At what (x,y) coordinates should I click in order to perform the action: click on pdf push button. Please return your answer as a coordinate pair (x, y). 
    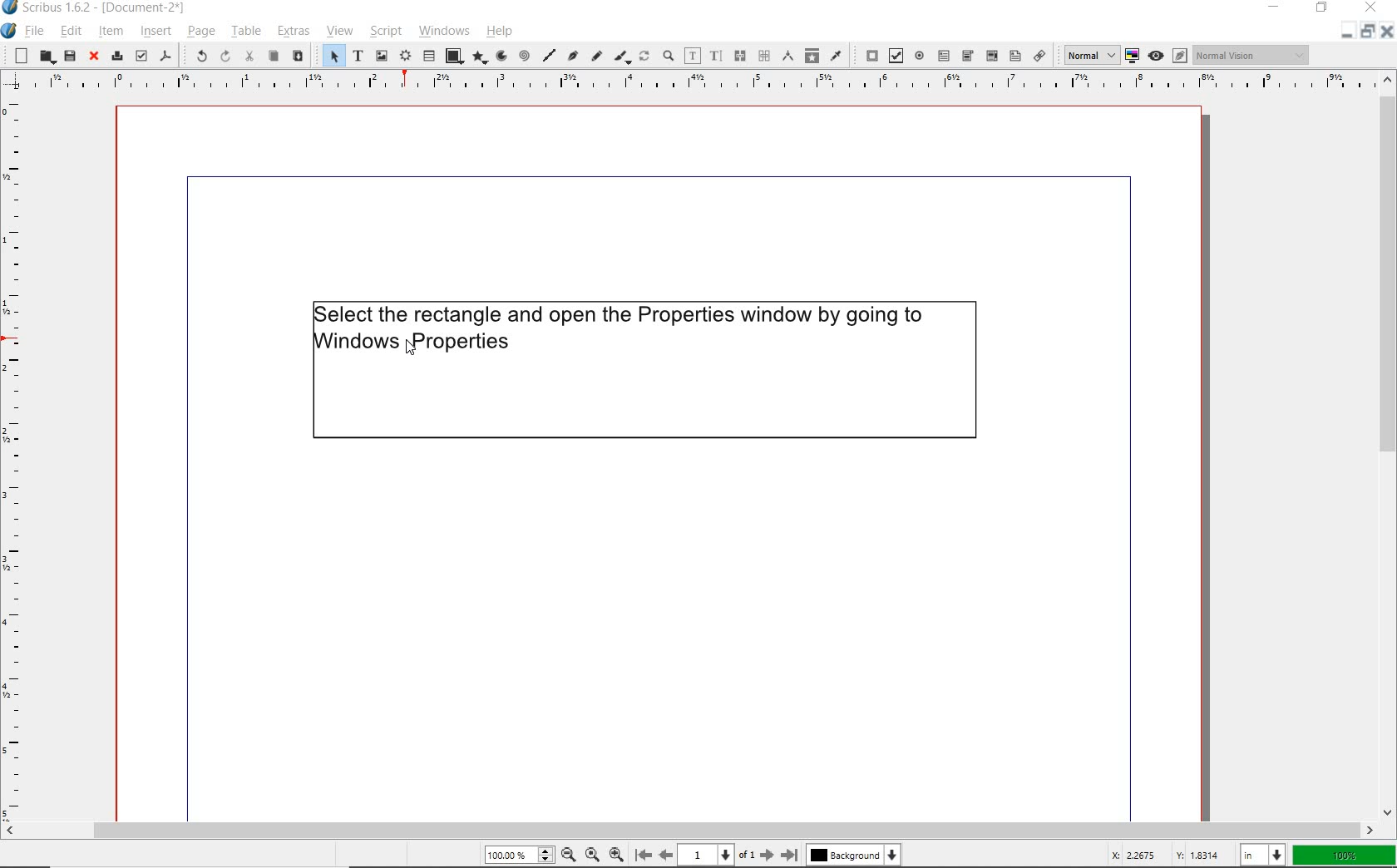
    Looking at the image, I should click on (867, 53).